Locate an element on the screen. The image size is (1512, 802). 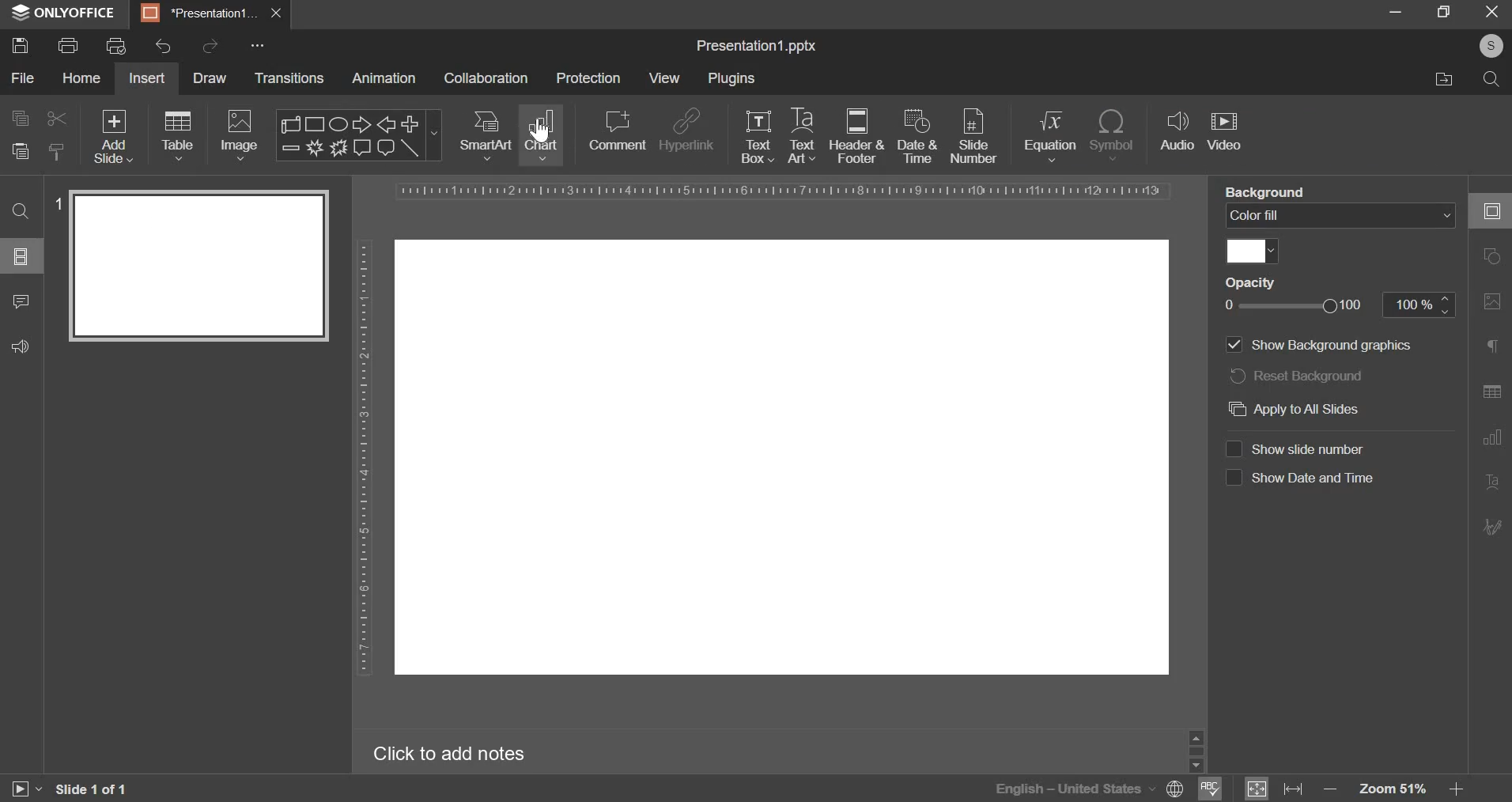
add slide is located at coordinates (112, 135).